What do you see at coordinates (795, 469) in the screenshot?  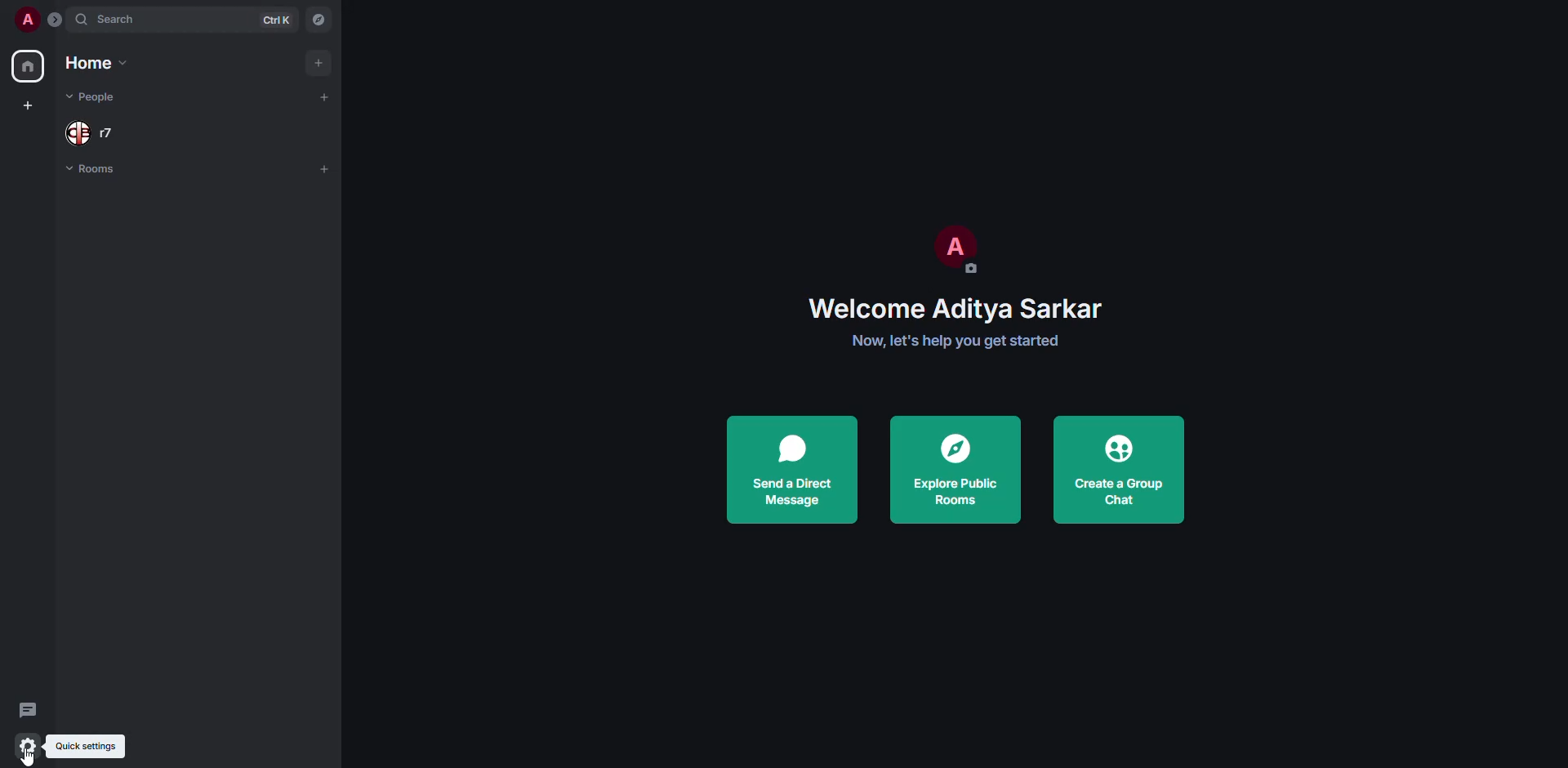 I see `send direct message` at bounding box center [795, 469].